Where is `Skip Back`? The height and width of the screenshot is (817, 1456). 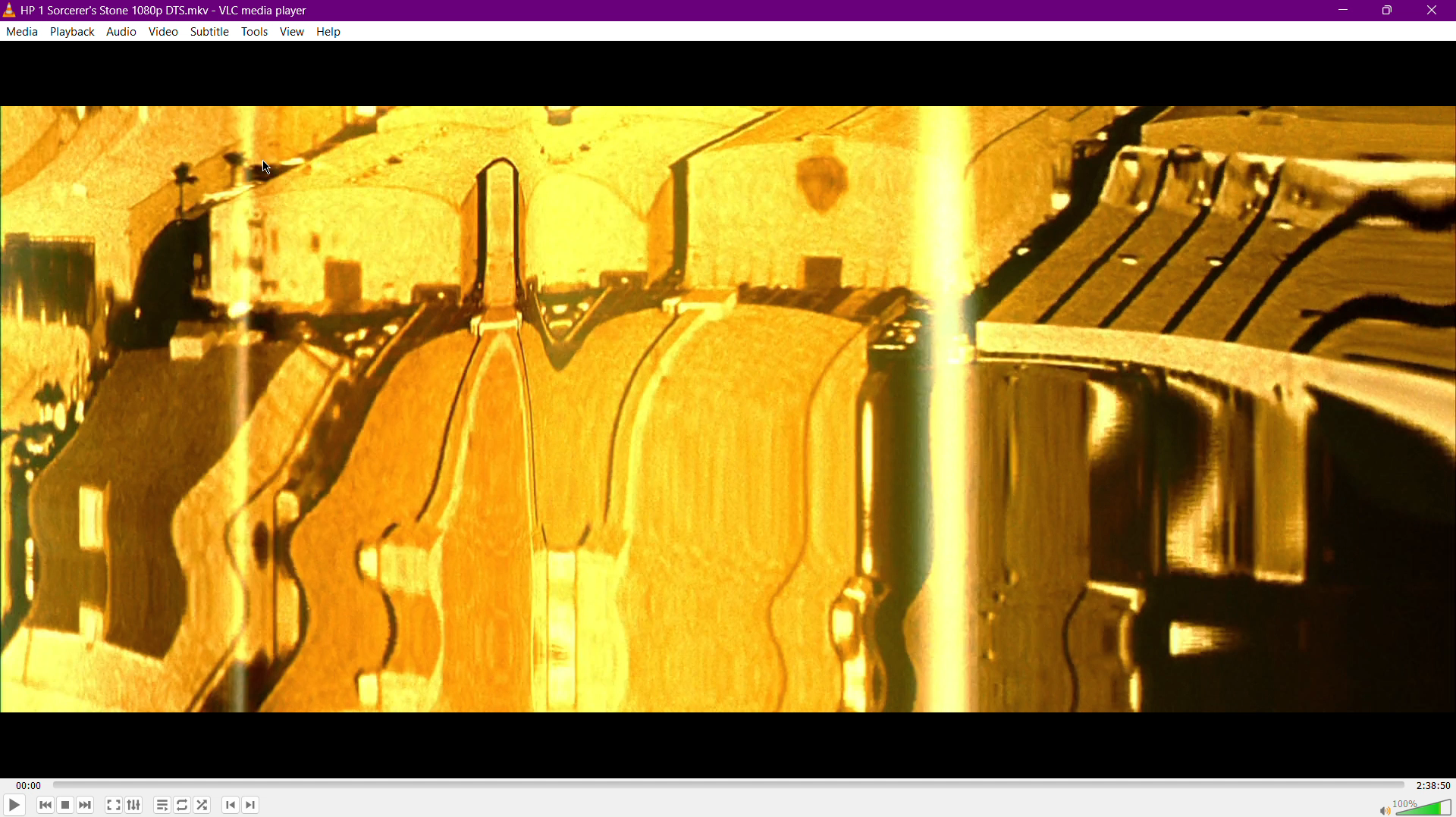 Skip Back is located at coordinates (44, 805).